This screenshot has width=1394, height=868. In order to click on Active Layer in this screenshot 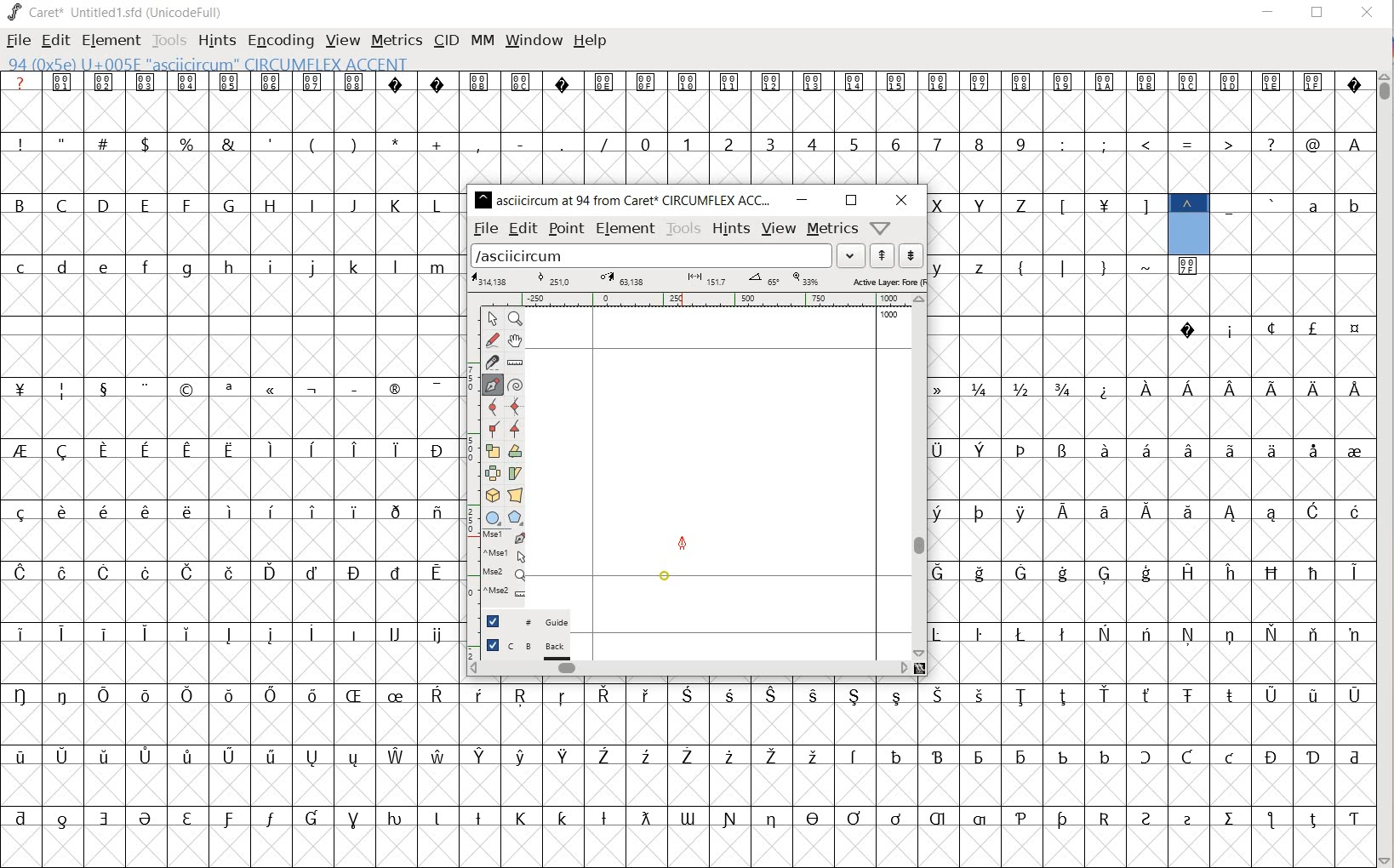, I will do `click(697, 280)`.